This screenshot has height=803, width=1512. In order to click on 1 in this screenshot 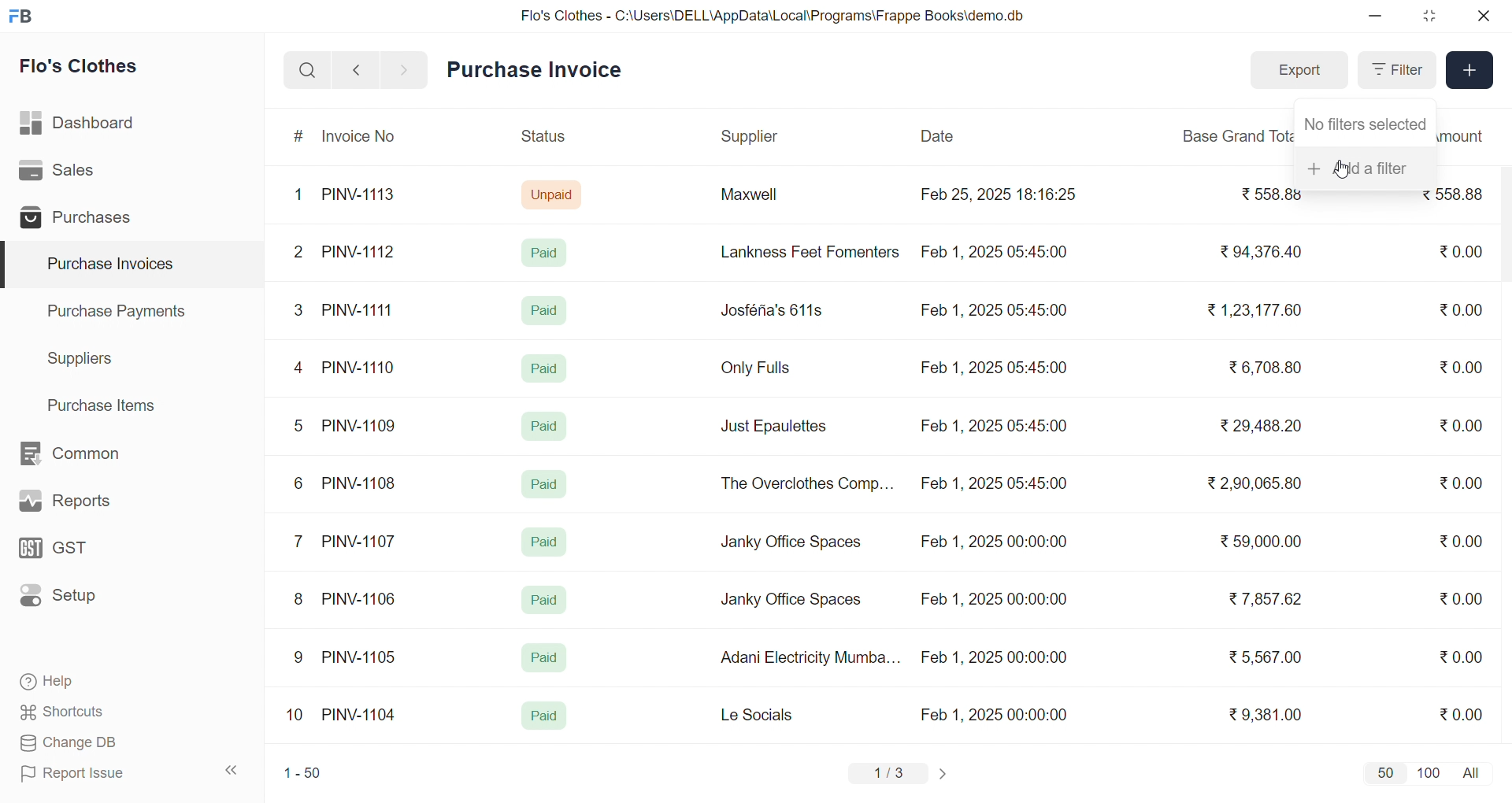, I will do `click(302, 195)`.